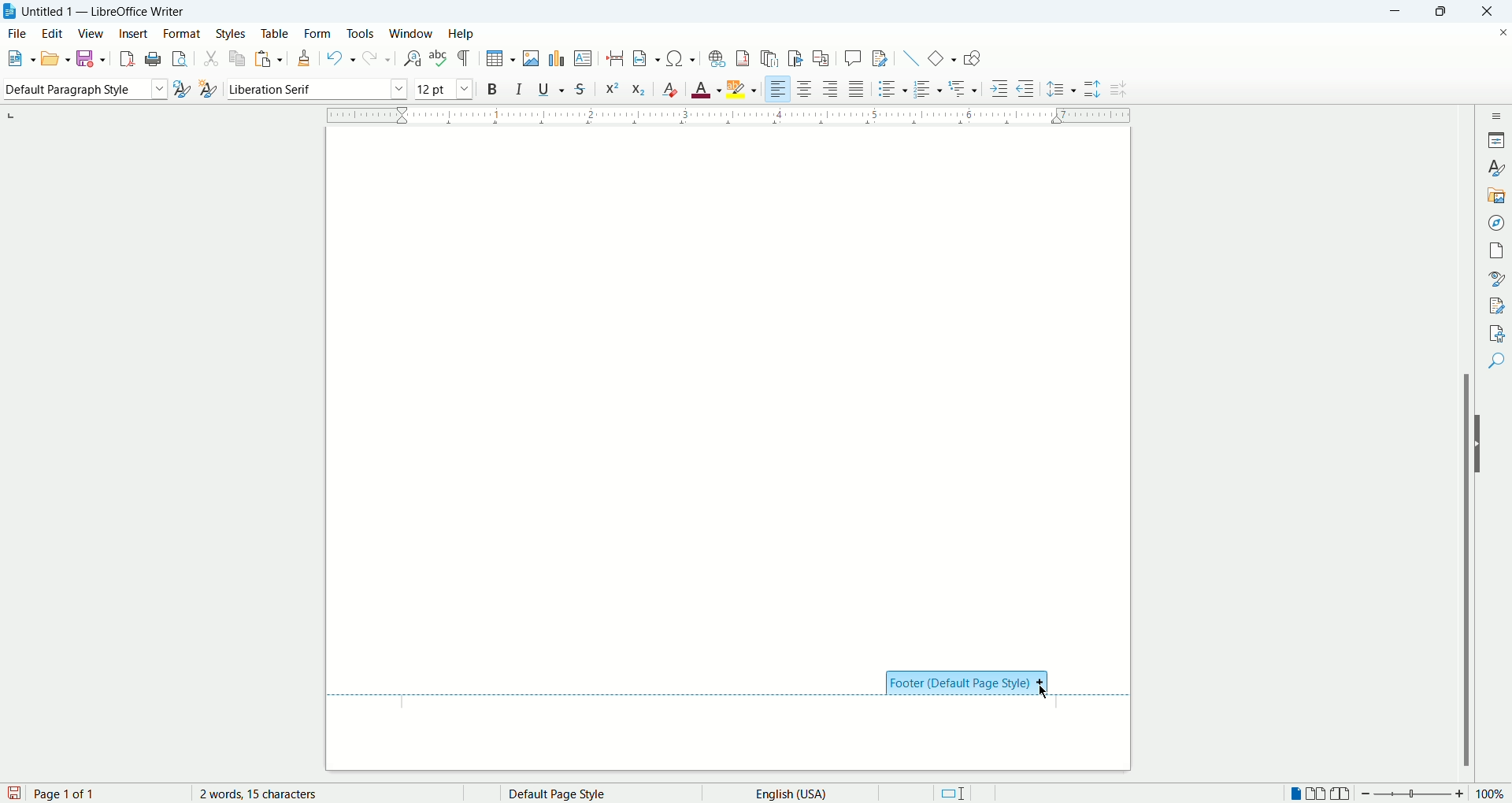 Image resolution: width=1512 pixels, height=803 pixels. I want to click on form, so click(318, 32).